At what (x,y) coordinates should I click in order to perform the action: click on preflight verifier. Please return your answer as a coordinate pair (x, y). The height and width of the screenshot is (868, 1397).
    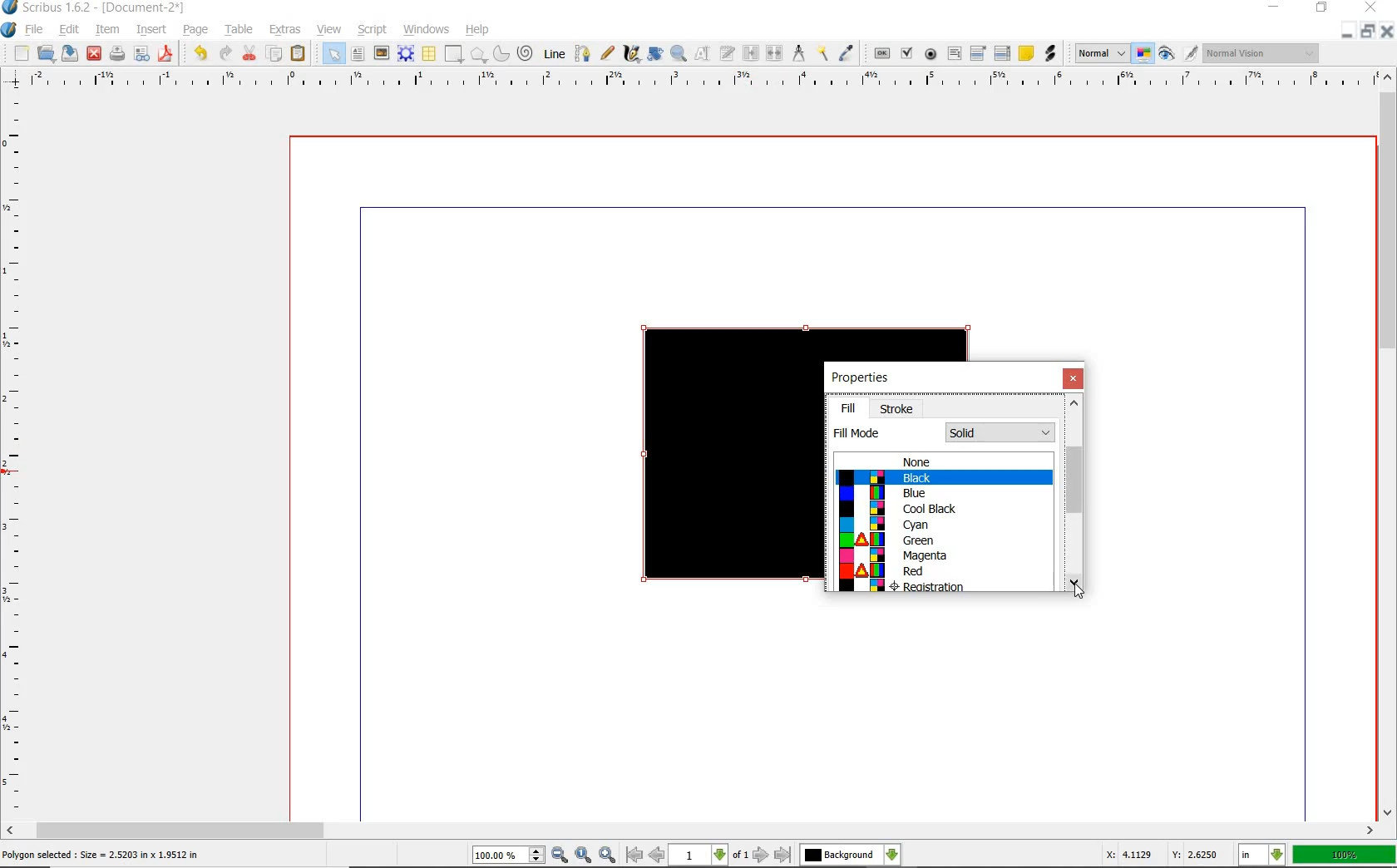
    Looking at the image, I should click on (142, 54).